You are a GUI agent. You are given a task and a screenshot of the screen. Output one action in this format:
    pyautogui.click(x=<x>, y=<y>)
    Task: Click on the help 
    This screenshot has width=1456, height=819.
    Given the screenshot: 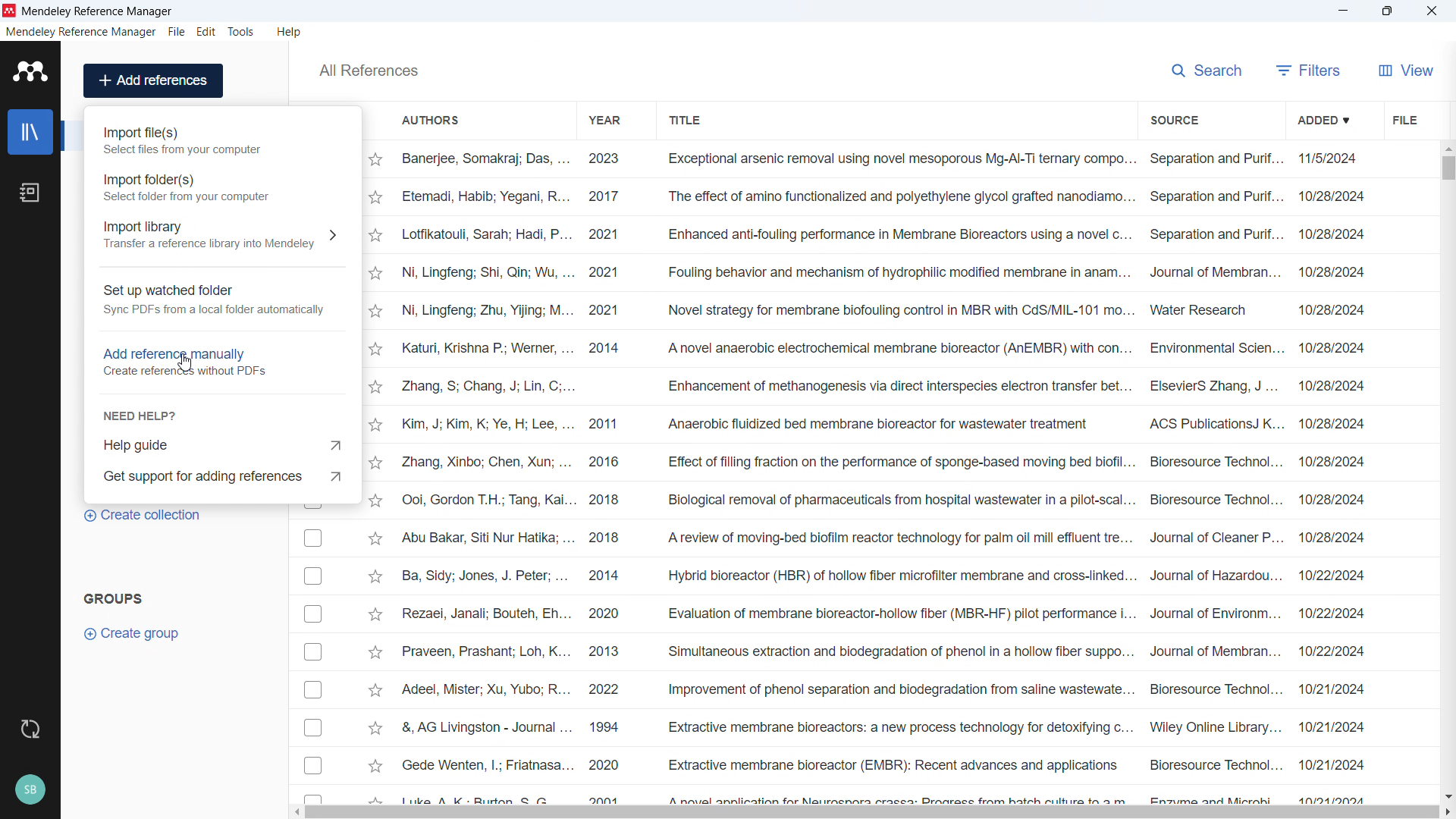 What is the action you would take?
    pyautogui.click(x=290, y=32)
    